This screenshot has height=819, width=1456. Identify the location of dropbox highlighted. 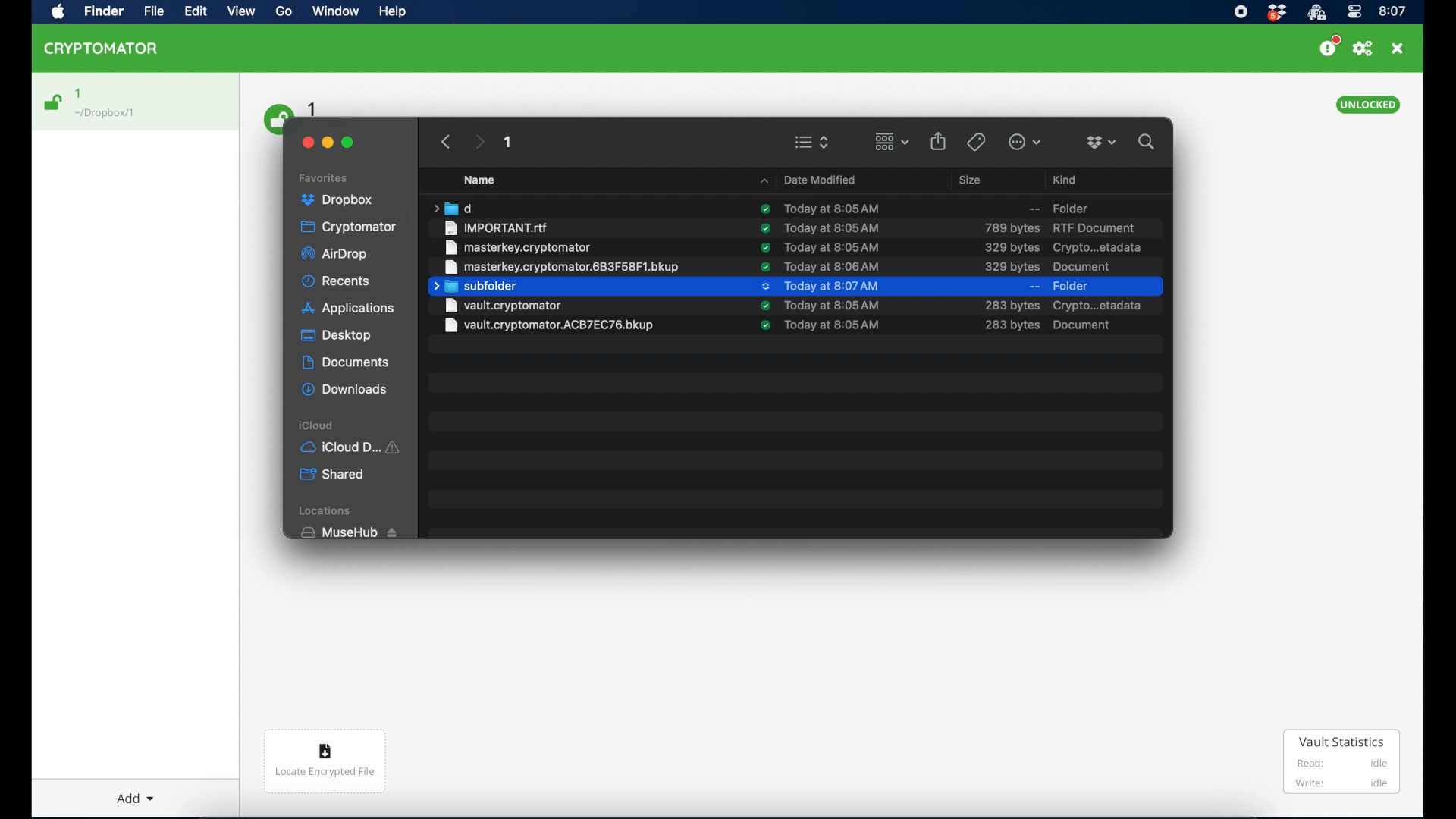
(343, 200).